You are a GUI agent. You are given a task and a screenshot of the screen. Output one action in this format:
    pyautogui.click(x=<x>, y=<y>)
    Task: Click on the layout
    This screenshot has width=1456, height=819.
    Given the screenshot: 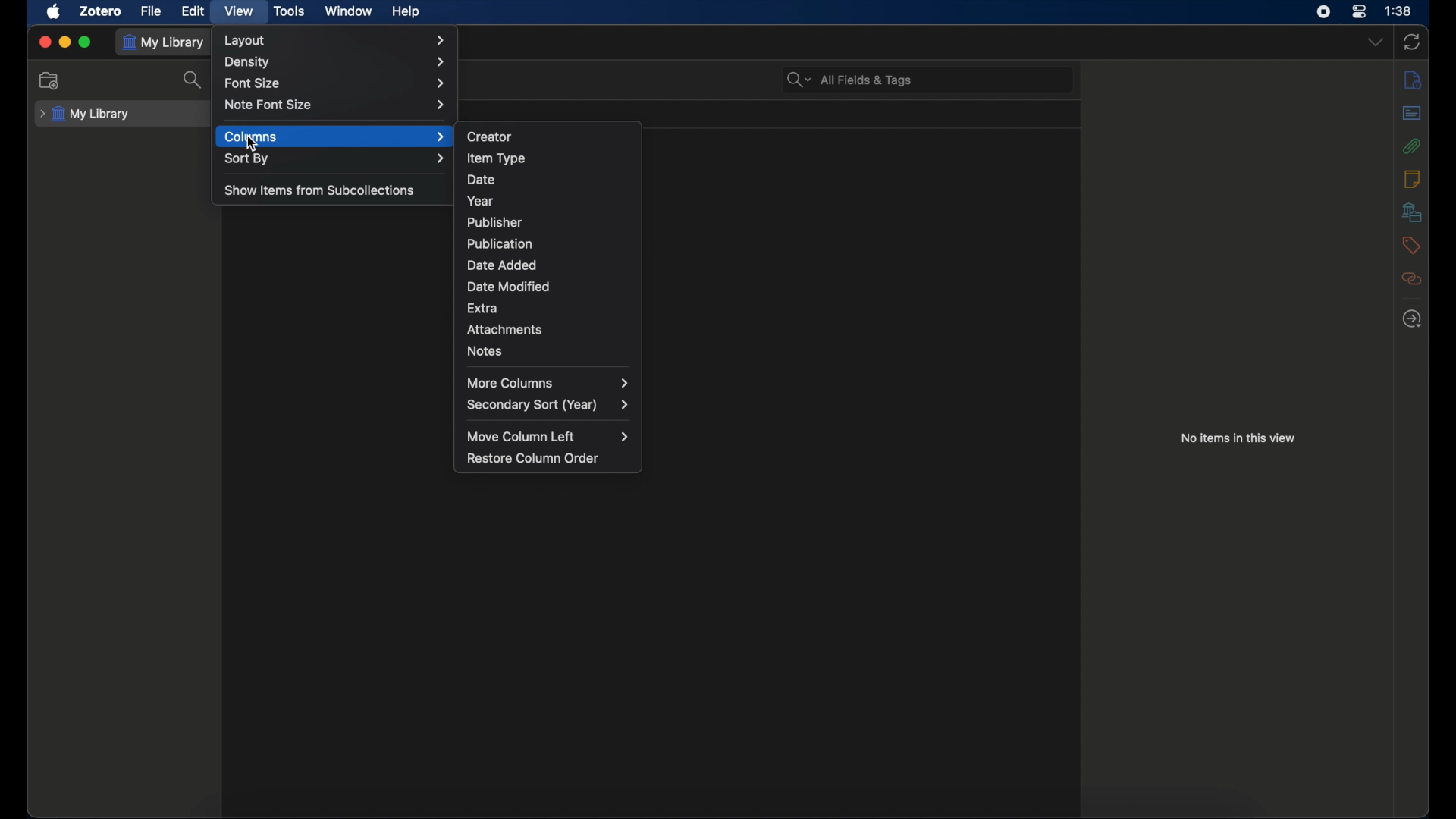 What is the action you would take?
    pyautogui.click(x=335, y=40)
    